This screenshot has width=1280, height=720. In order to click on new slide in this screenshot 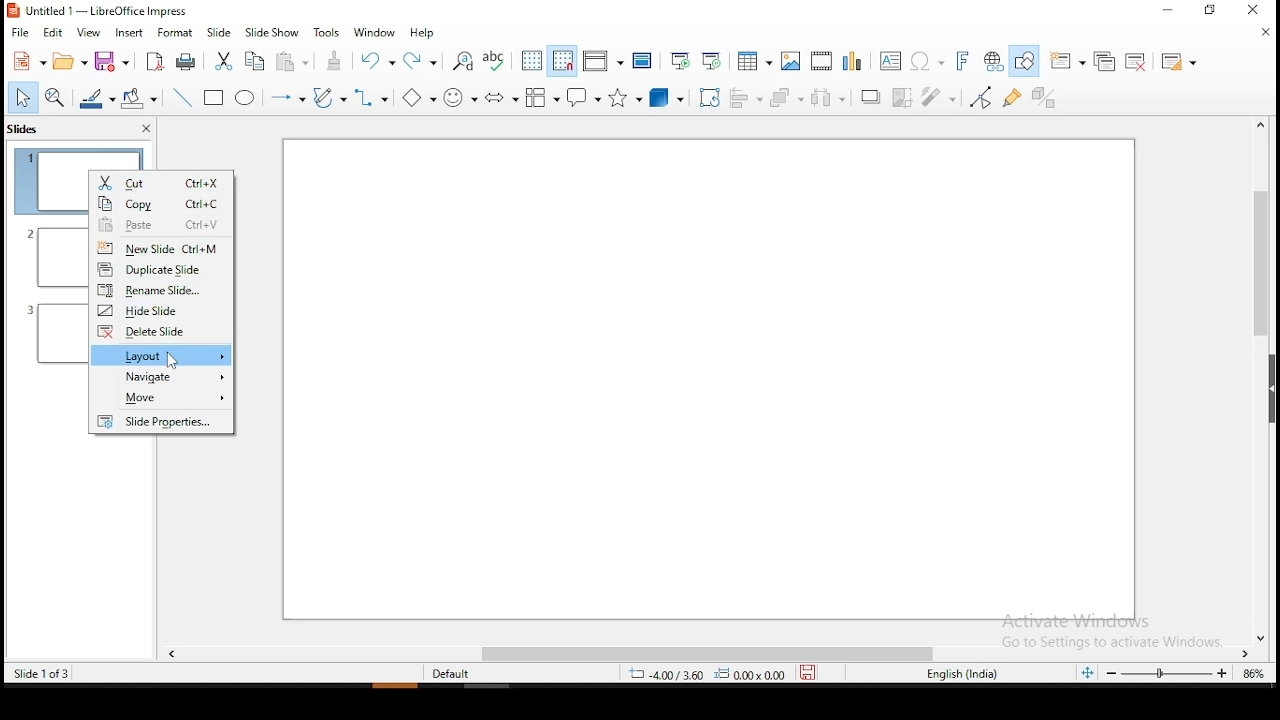, I will do `click(162, 248)`.